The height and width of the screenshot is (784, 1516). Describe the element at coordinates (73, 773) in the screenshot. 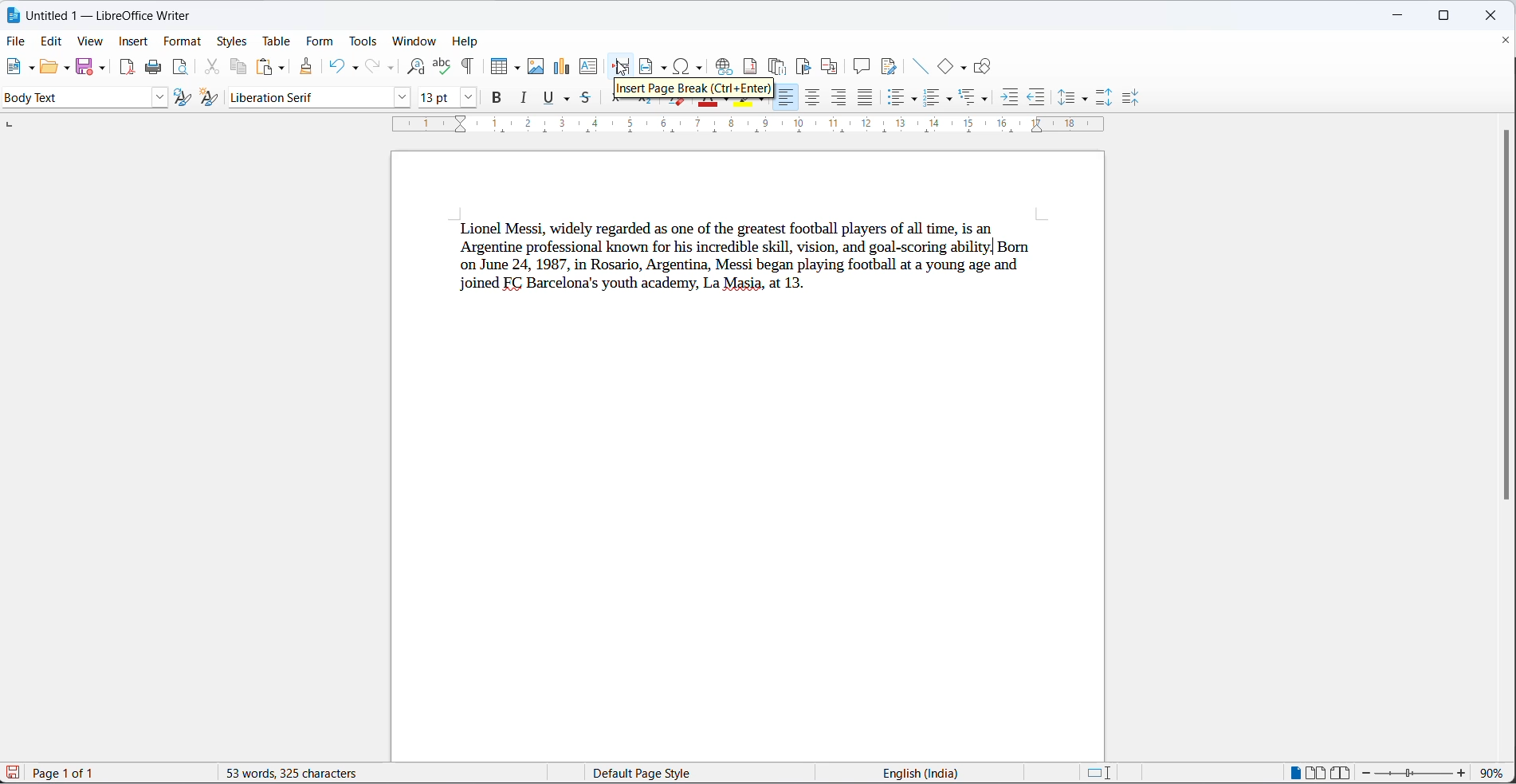

I see `current page` at that location.